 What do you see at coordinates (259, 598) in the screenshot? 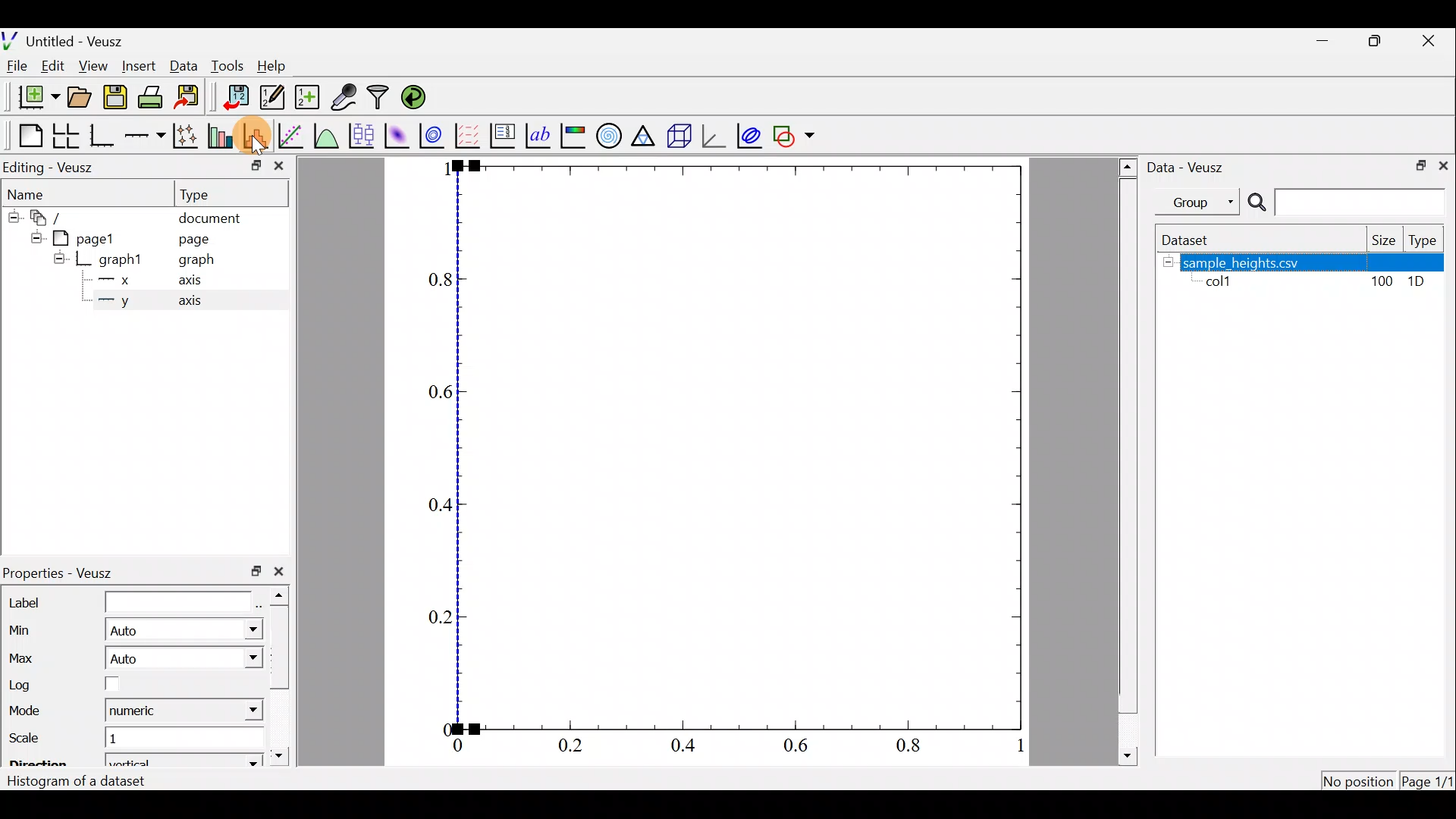
I see `select using dataset browser` at bounding box center [259, 598].